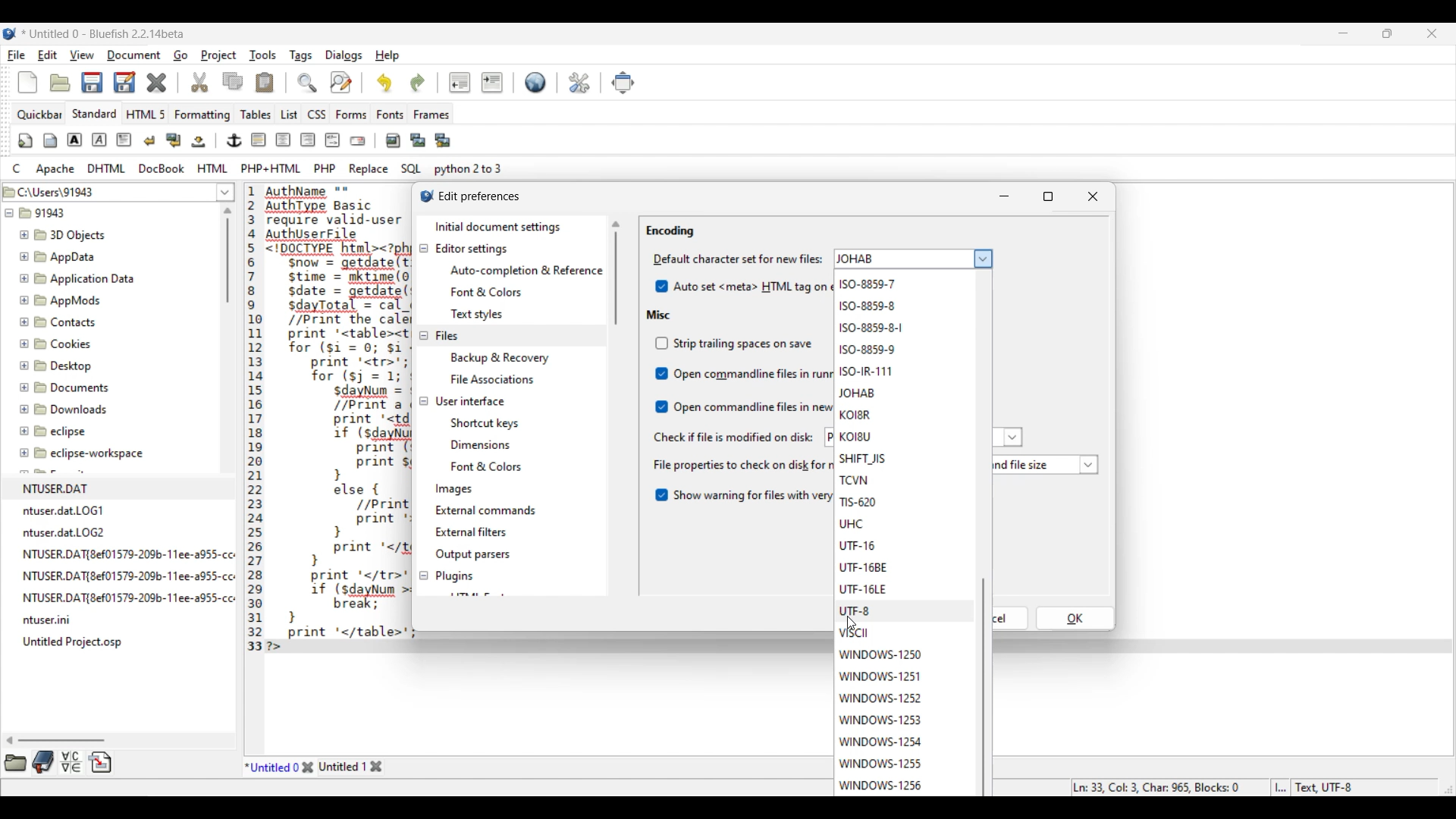 The image size is (1456, 819). Describe the element at coordinates (308, 767) in the screenshot. I see `Close tab` at that location.